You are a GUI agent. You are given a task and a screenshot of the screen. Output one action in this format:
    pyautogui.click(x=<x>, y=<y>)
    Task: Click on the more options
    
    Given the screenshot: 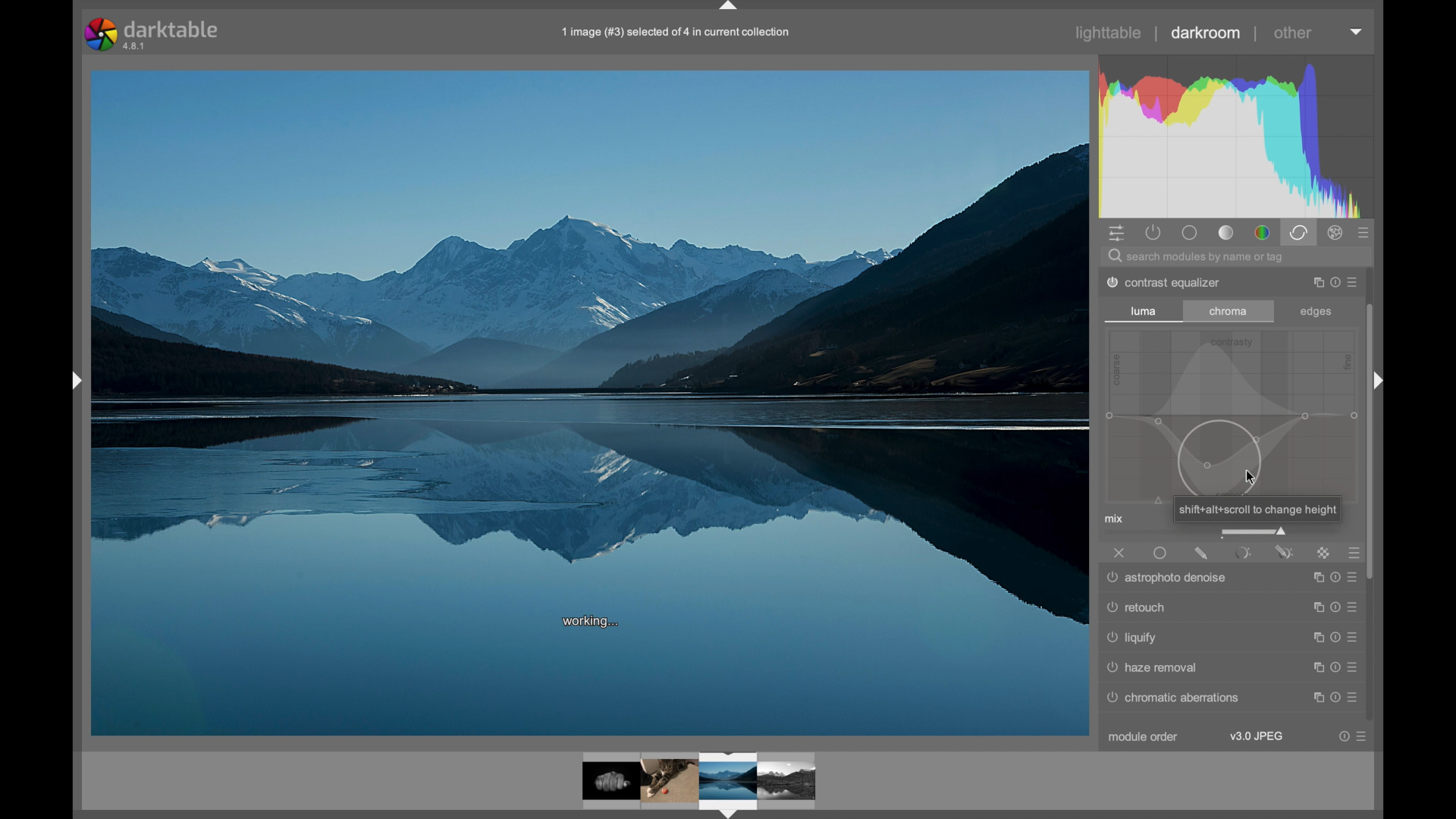 What is the action you would take?
    pyautogui.click(x=1333, y=281)
    